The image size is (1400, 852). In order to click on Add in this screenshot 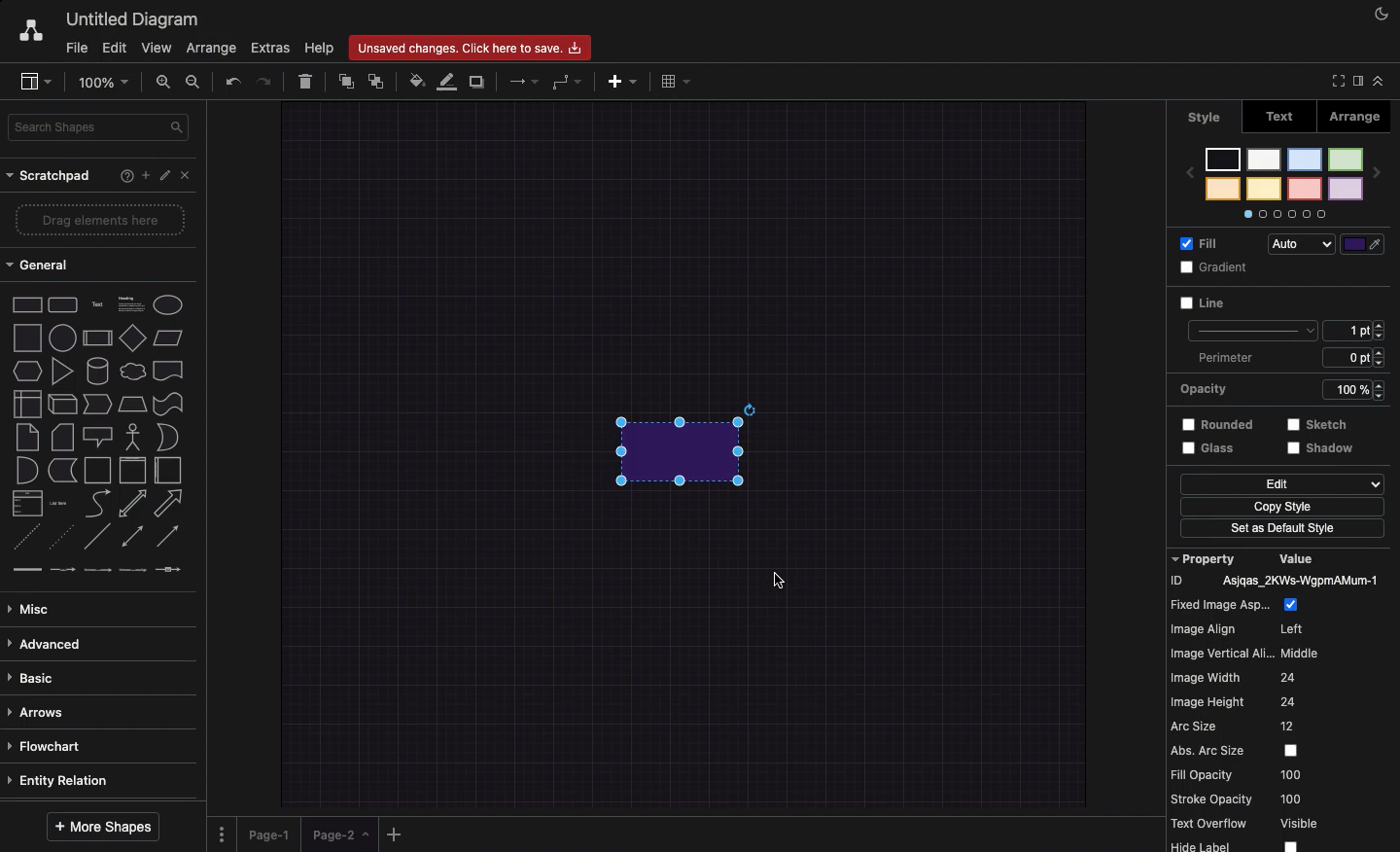, I will do `click(142, 175)`.